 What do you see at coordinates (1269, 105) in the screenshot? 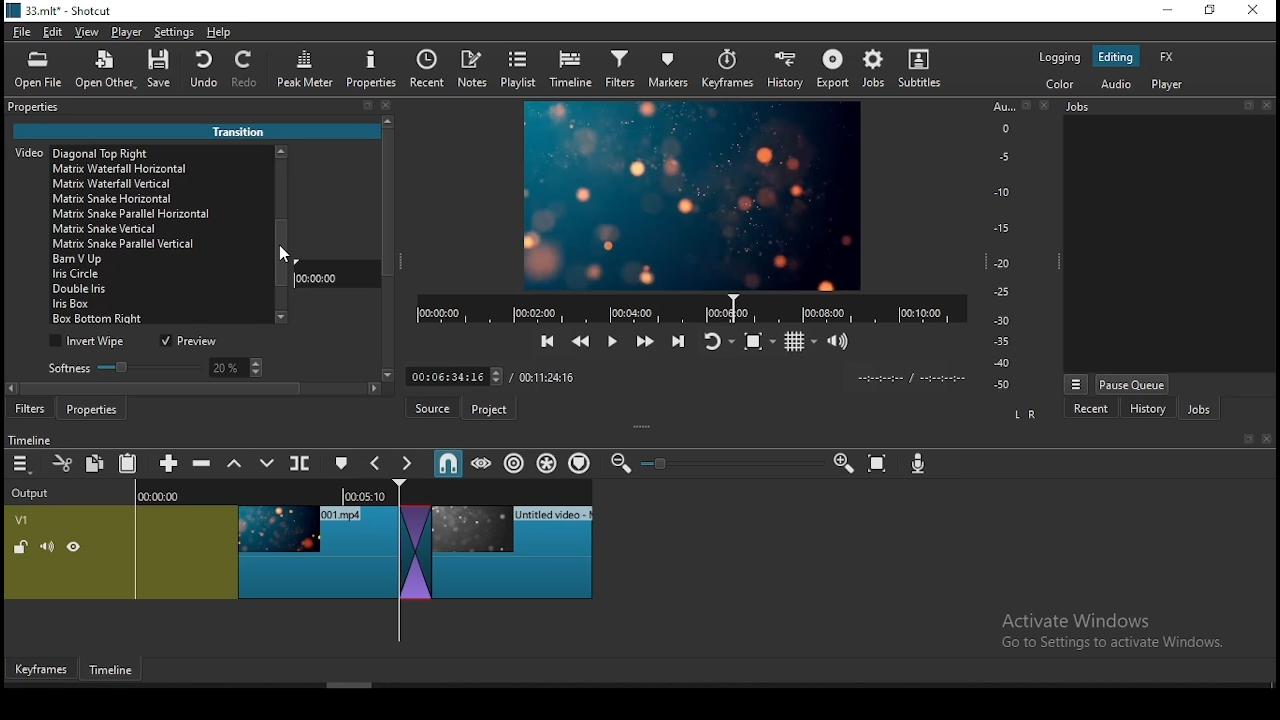
I see `` at bounding box center [1269, 105].